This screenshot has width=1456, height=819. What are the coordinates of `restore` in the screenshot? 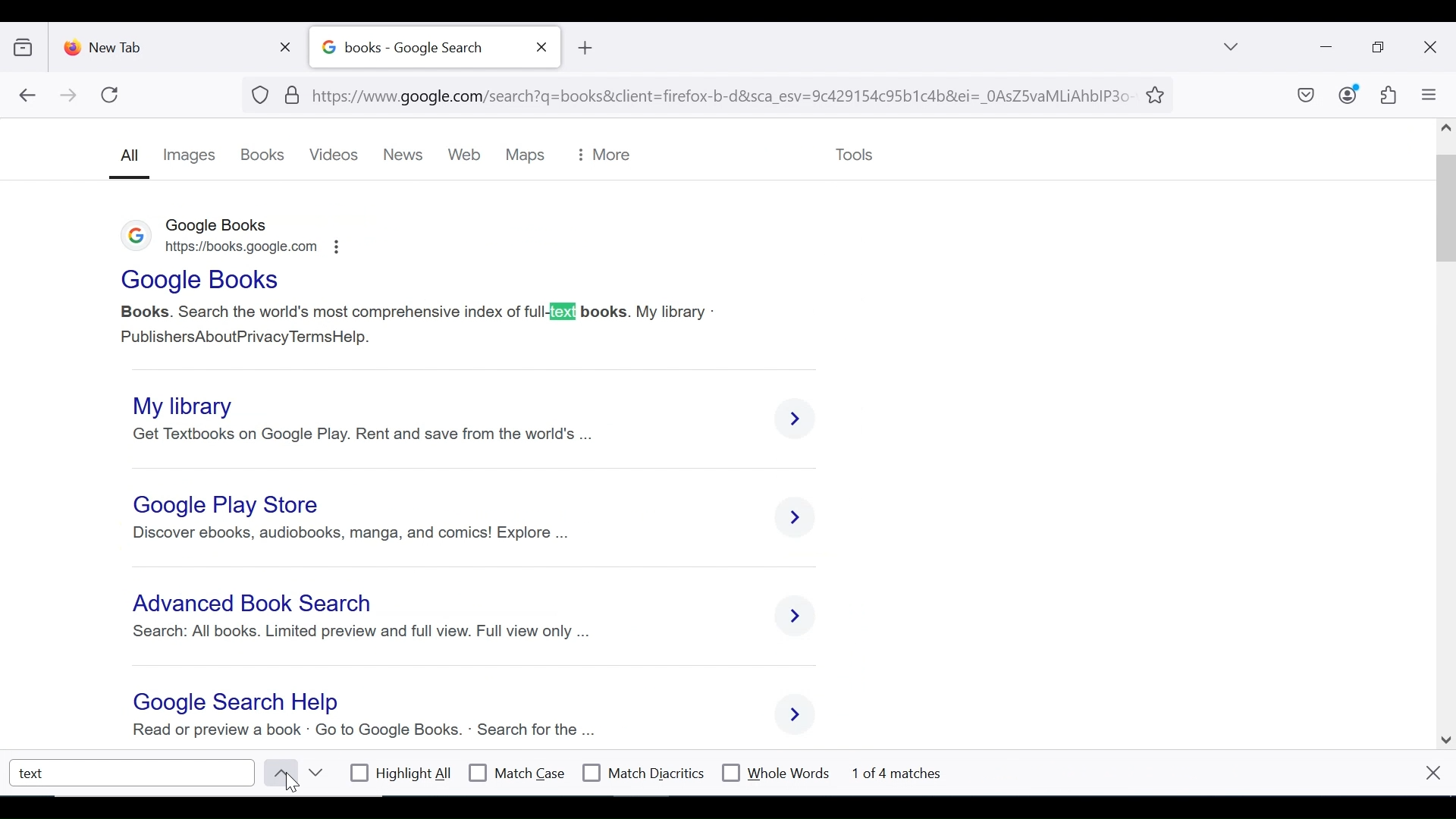 It's located at (1380, 48).